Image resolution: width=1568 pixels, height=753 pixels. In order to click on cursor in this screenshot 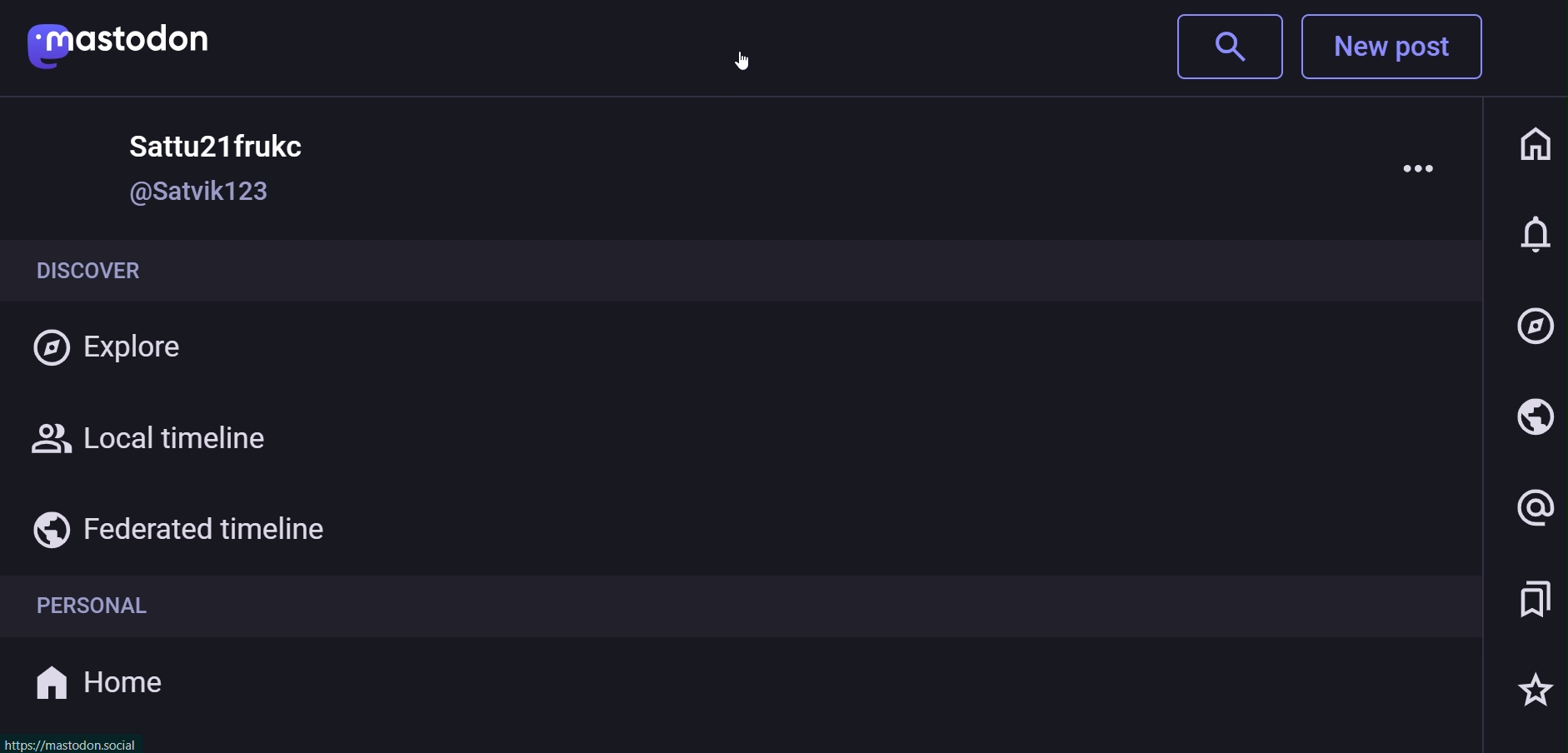, I will do `click(742, 58)`.